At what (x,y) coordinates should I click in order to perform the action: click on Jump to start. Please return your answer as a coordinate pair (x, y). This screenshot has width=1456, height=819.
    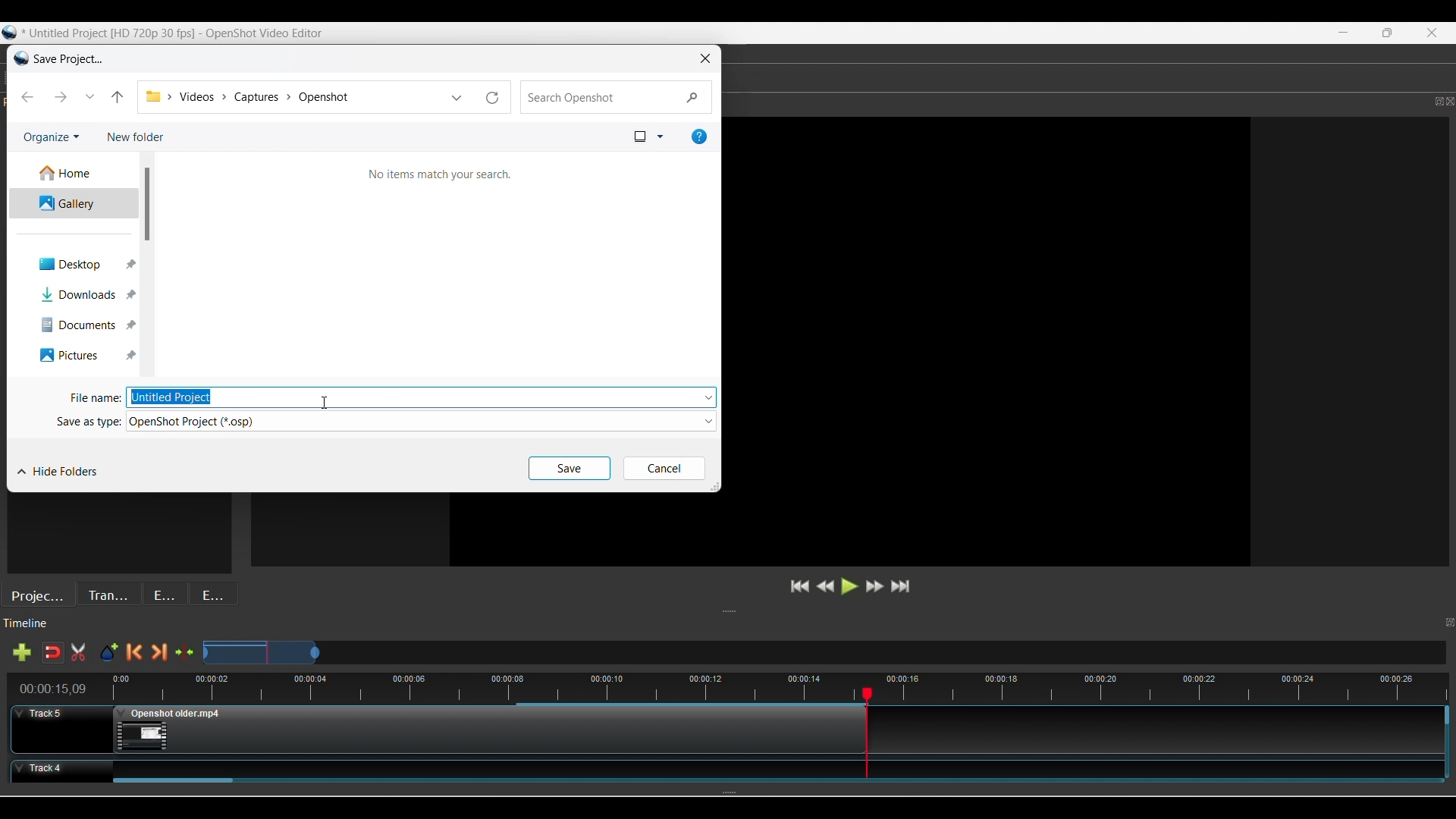
    Looking at the image, I should click on (800, 586).